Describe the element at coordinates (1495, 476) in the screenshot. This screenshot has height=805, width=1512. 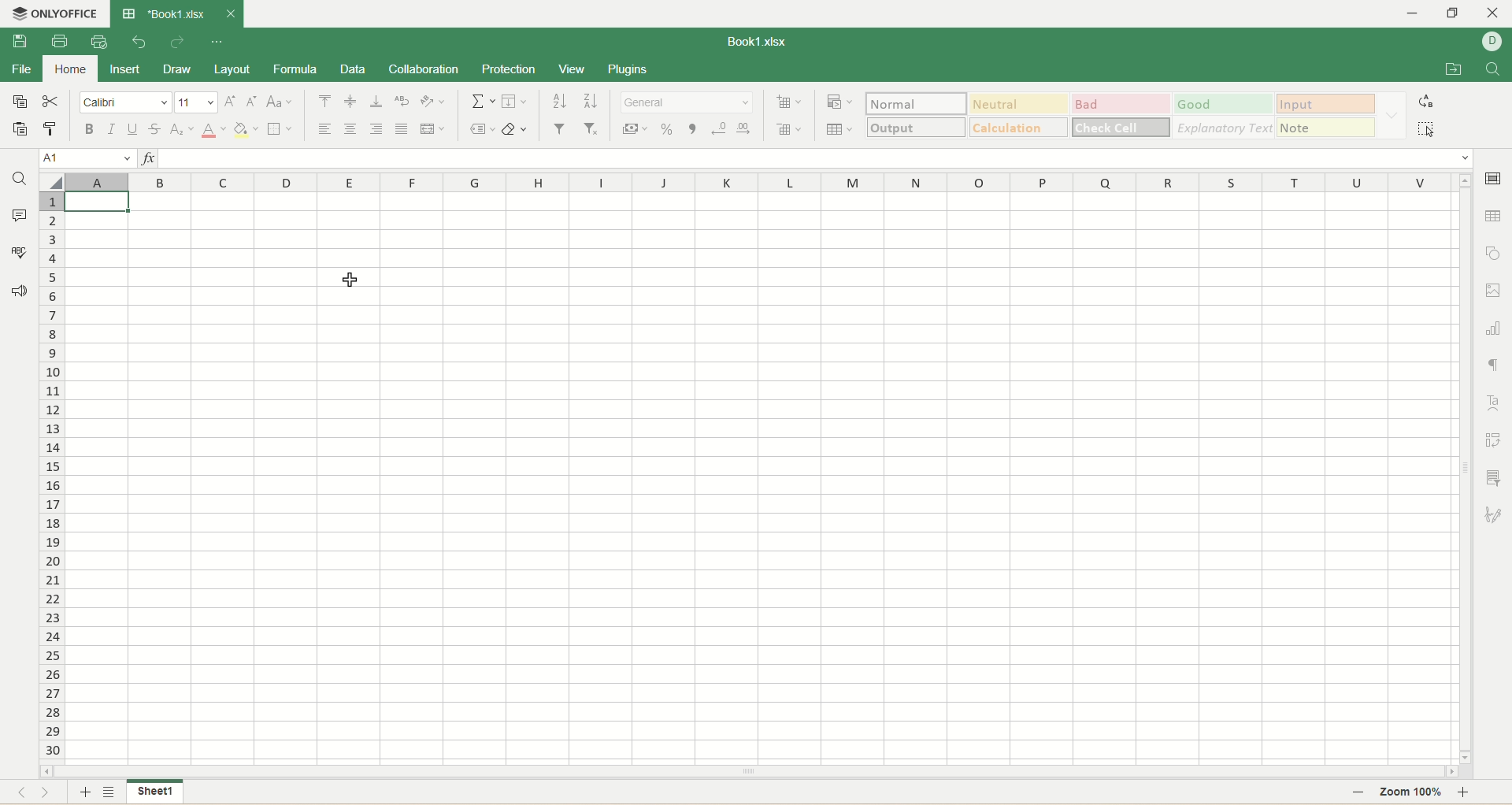
I see `slicer settings` at that location.